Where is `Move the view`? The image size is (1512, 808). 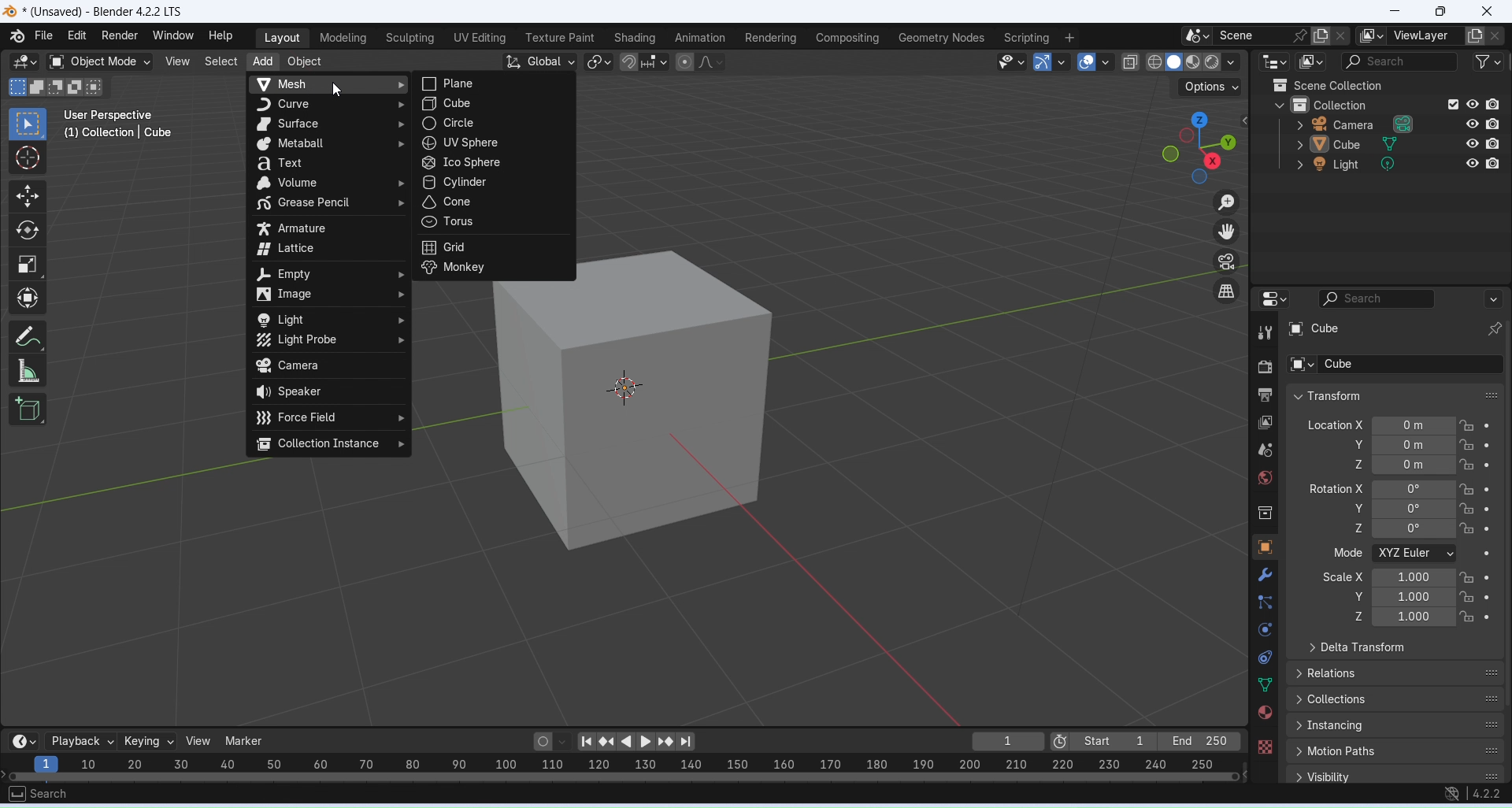 Move the view is located at coordinates (1229, 232).